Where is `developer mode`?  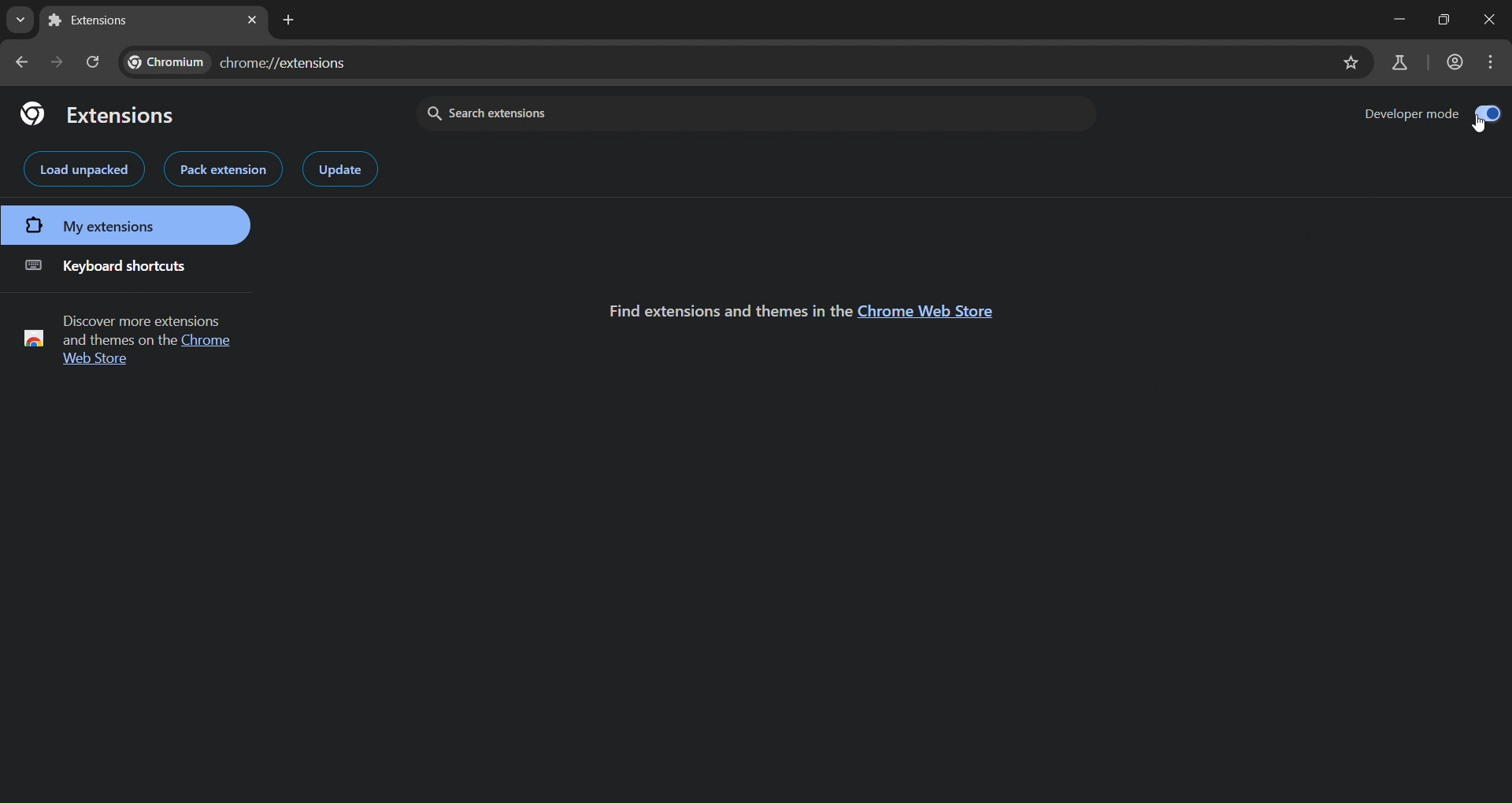 developer mode is located at coordinates (1431, 113).